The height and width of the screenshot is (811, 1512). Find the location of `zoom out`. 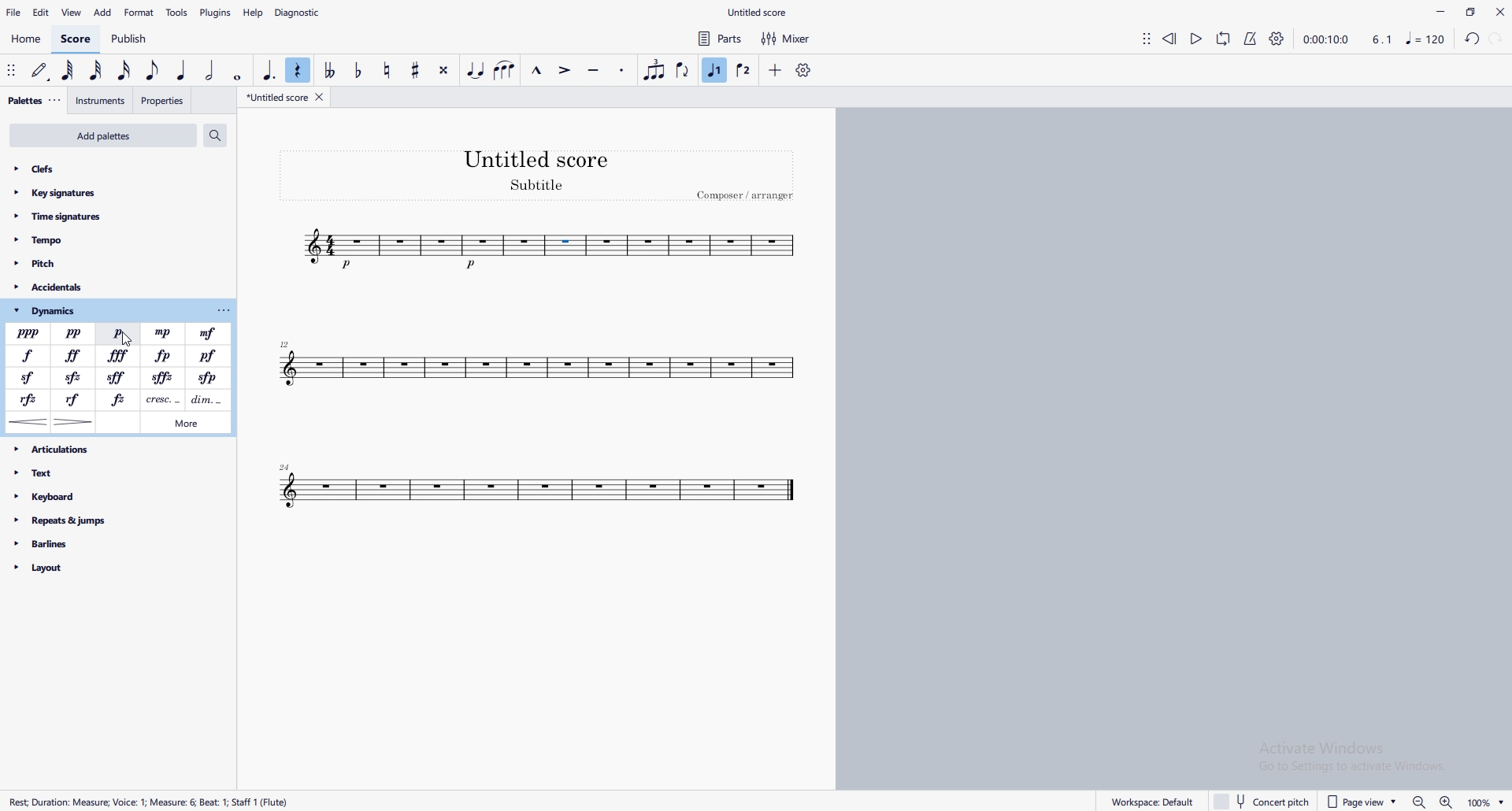

zoom out is located at coordinates (1419, 803).